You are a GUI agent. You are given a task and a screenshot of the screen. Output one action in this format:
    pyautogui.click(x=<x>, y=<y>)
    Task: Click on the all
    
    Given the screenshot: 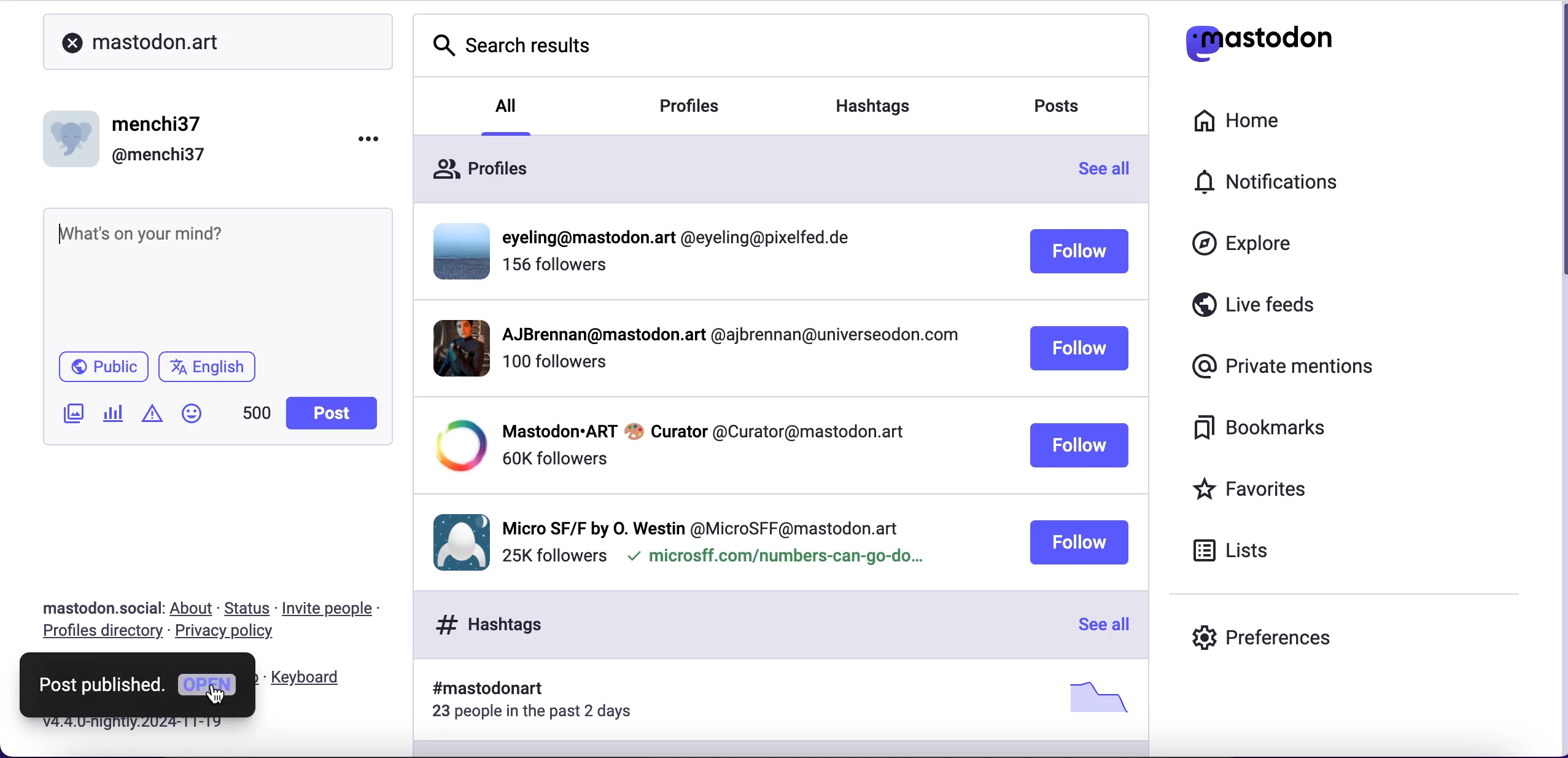 What is the action you would take?
    pyautogui.click(x=505, y=114)
    